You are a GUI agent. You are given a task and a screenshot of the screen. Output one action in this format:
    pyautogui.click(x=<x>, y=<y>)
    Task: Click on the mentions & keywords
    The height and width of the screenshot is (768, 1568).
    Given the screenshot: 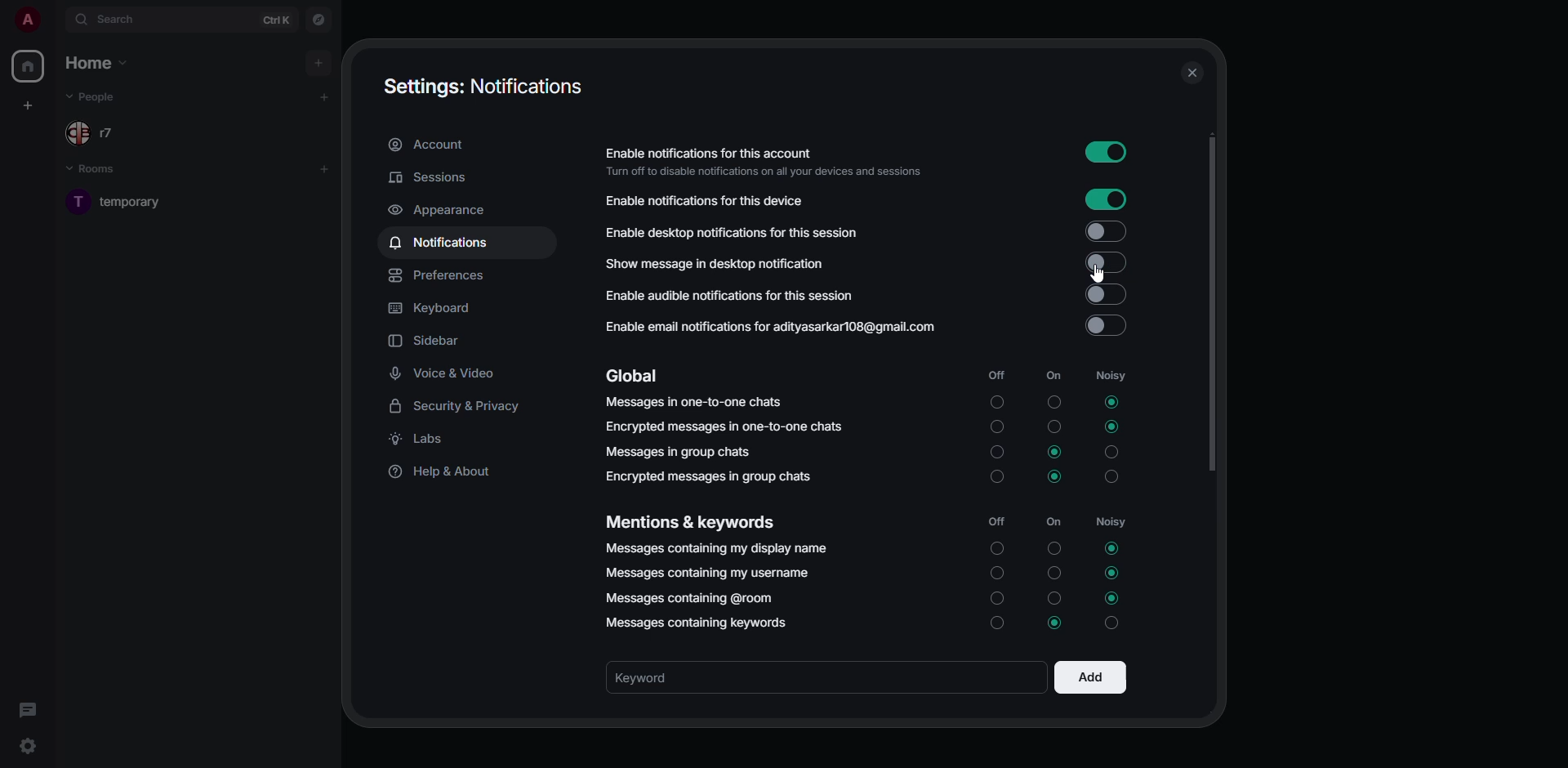 What is the action you would take?
    pyautogui.click(x=688, y=523)
    